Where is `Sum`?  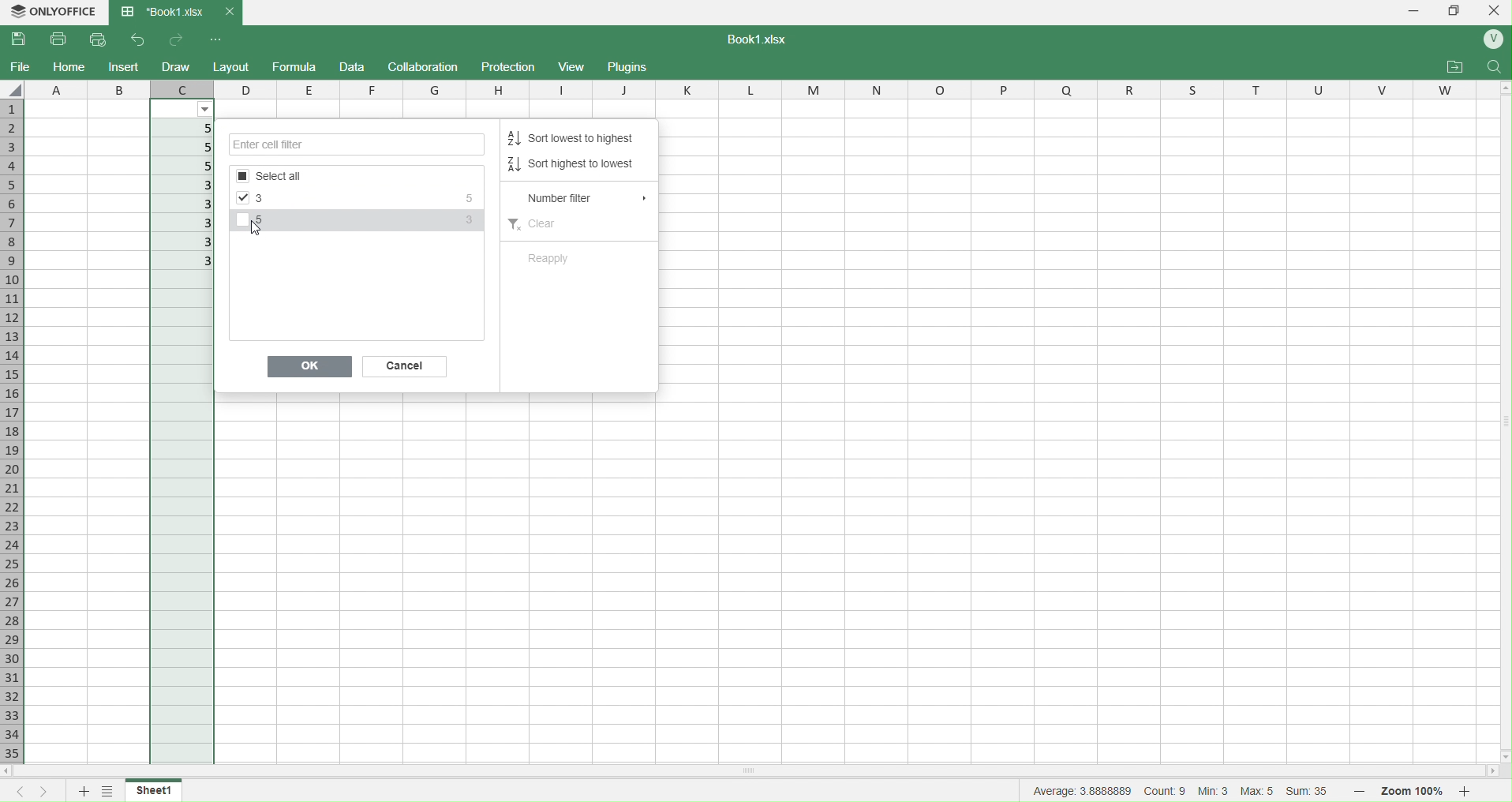
Sum is located at coordinates (1312, 793).